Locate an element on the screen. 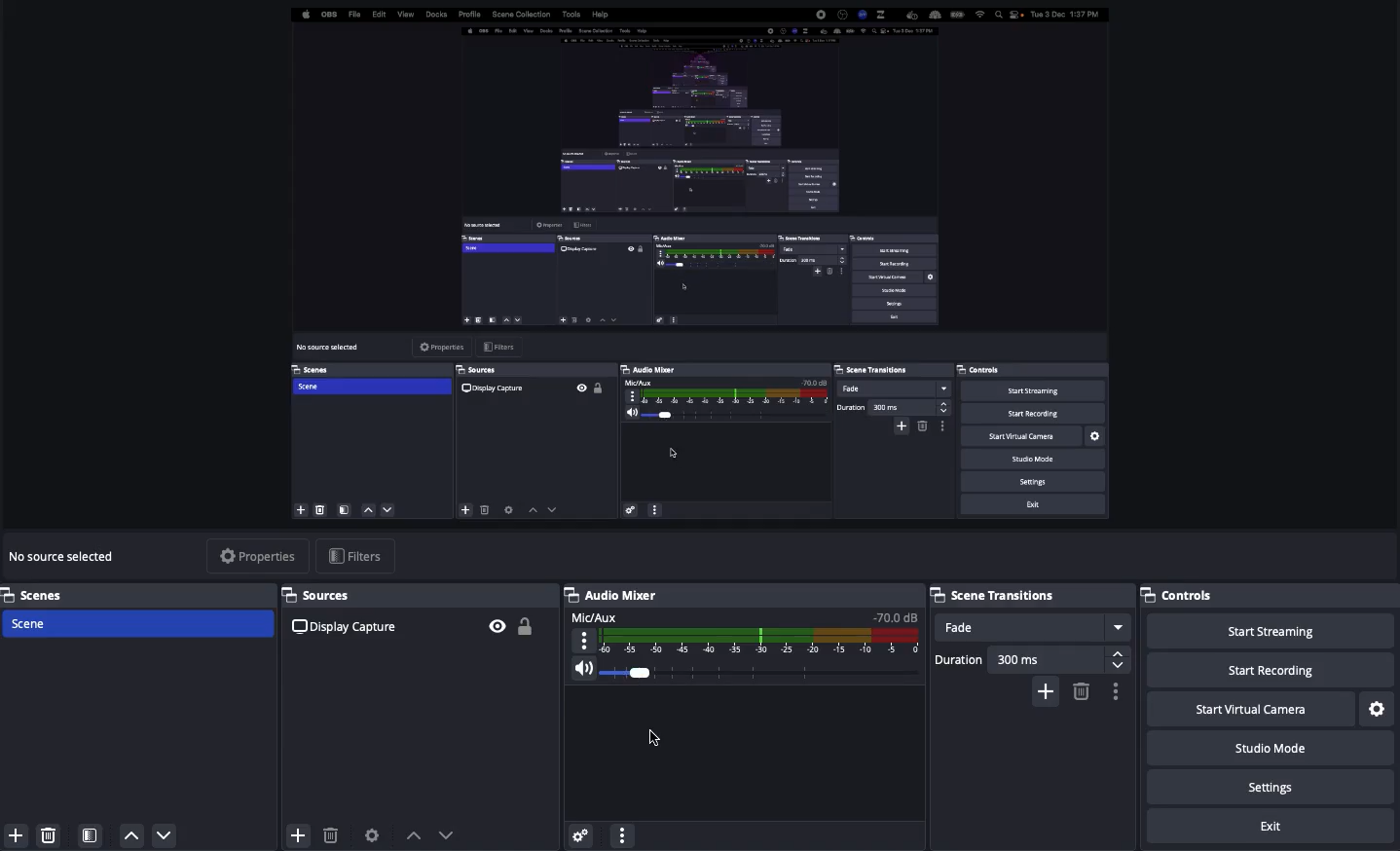  Controls is located at coordinates (1185, 595).